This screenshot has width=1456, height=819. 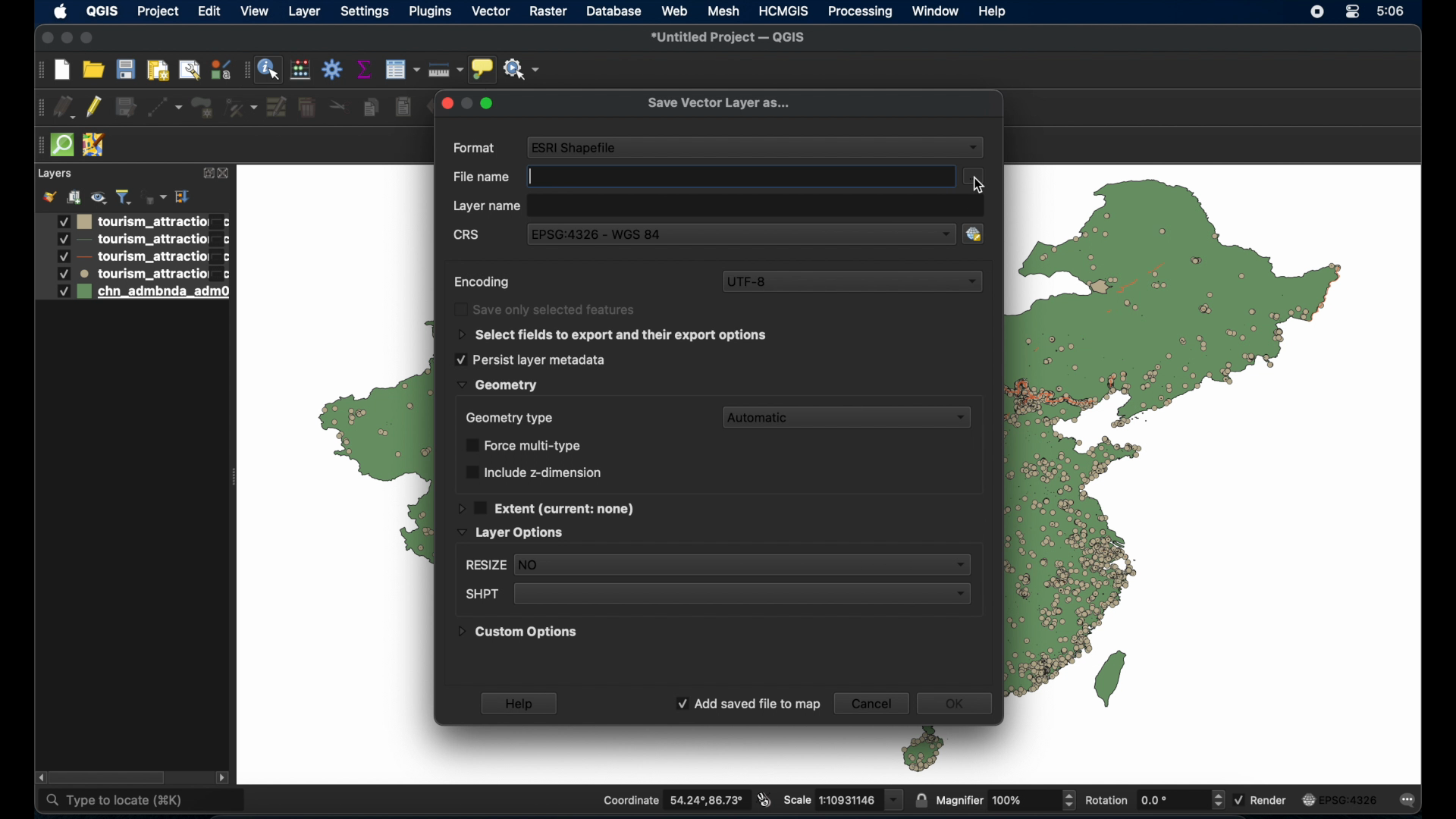 I want to click on extent, so click(x=548, y=507).